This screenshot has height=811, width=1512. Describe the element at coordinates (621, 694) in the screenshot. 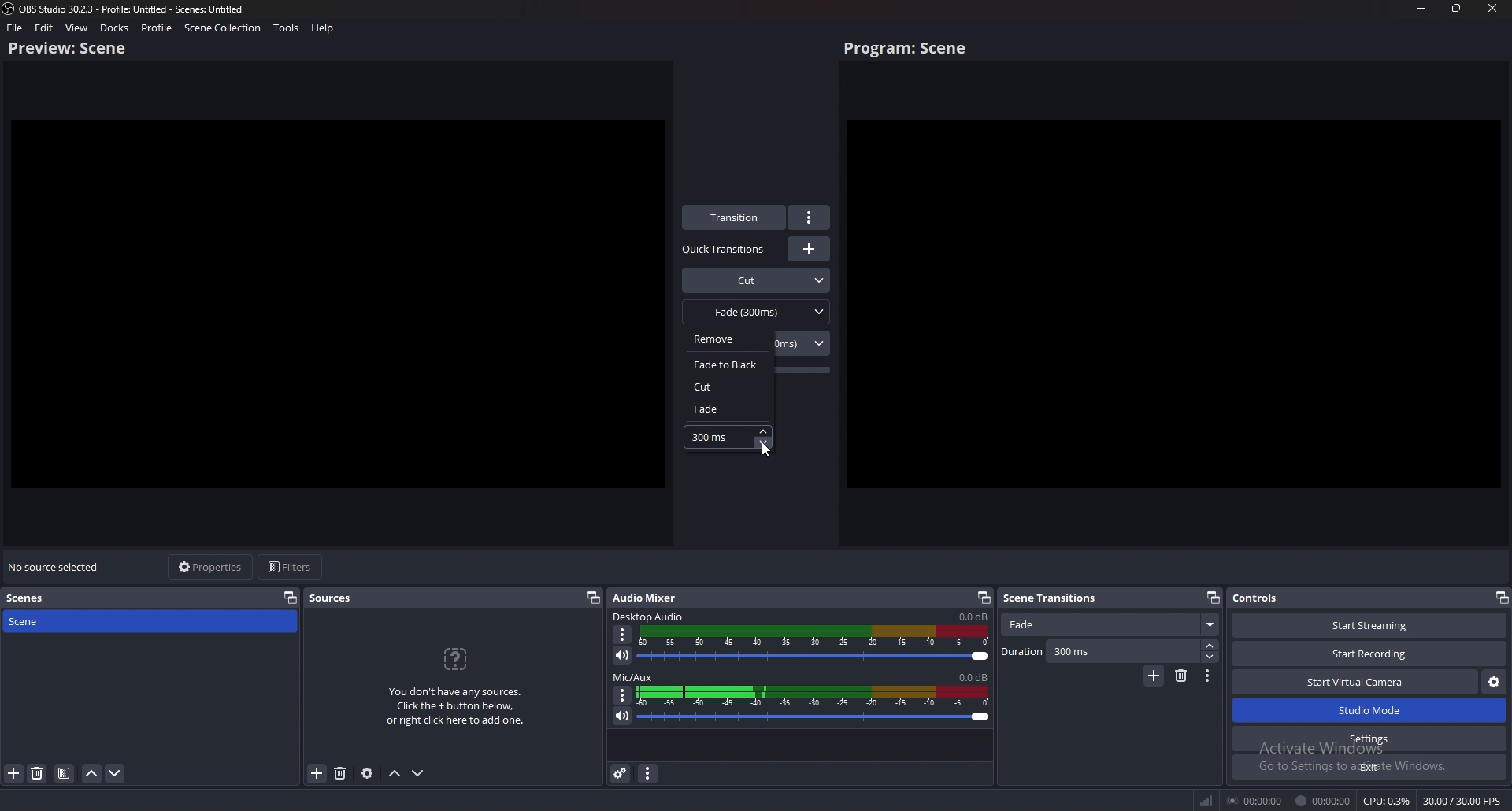

I see `Options` at that location.